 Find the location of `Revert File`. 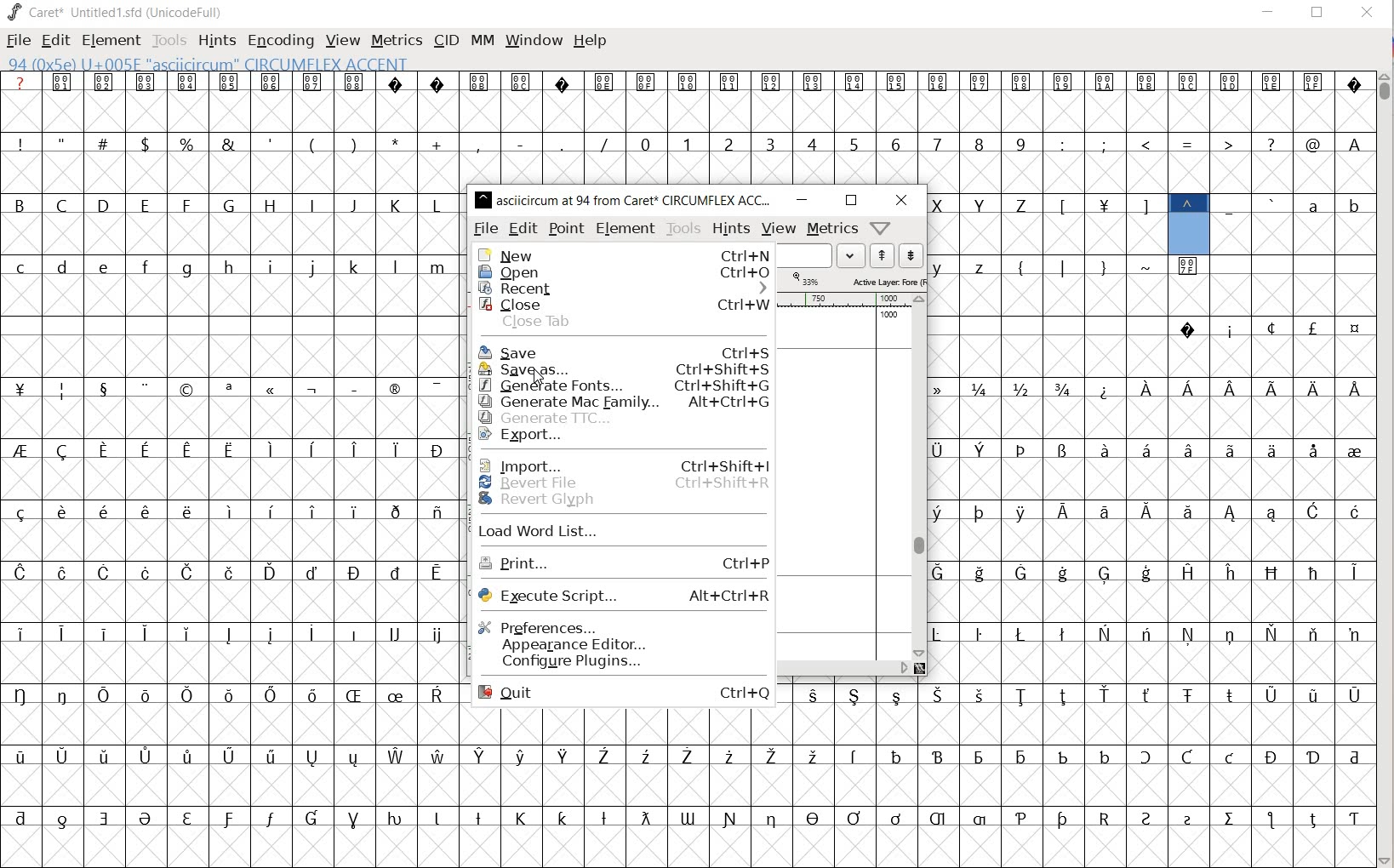

Revert File is located at coordinates (623, 481).